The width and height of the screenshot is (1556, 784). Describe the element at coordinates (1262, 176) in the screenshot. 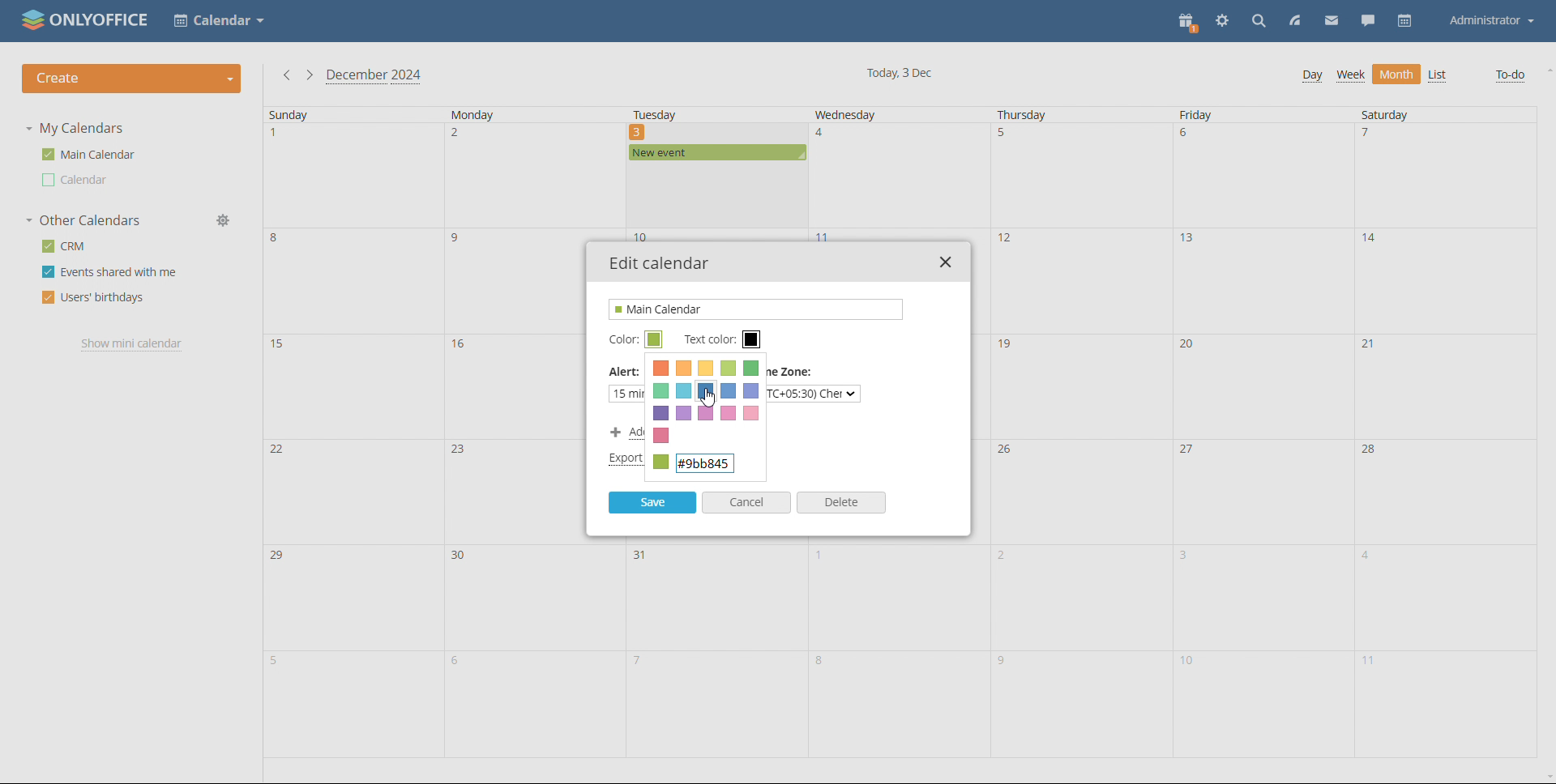

I see `date` at that location.